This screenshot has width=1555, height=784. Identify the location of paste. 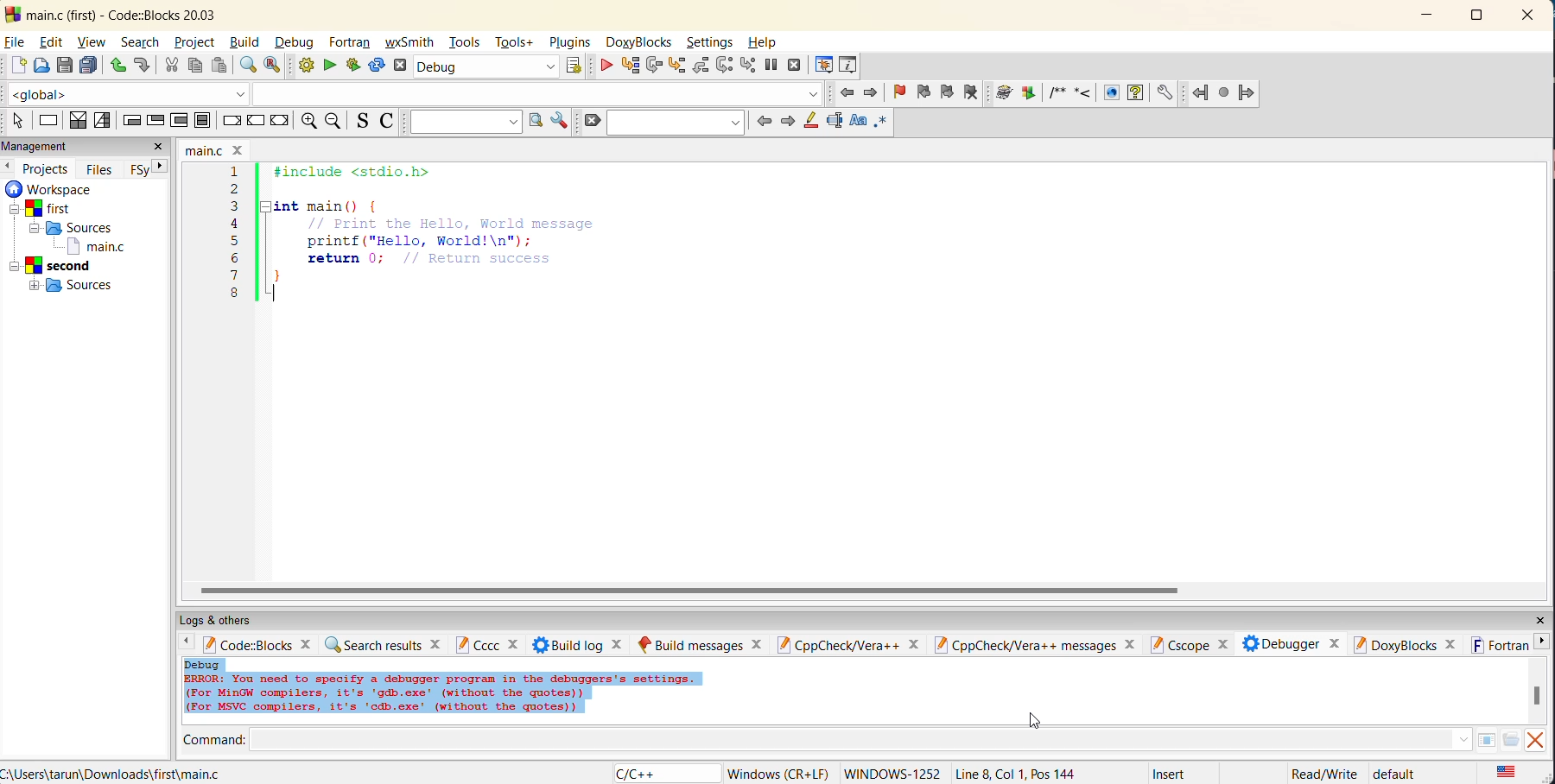
(220, 66).